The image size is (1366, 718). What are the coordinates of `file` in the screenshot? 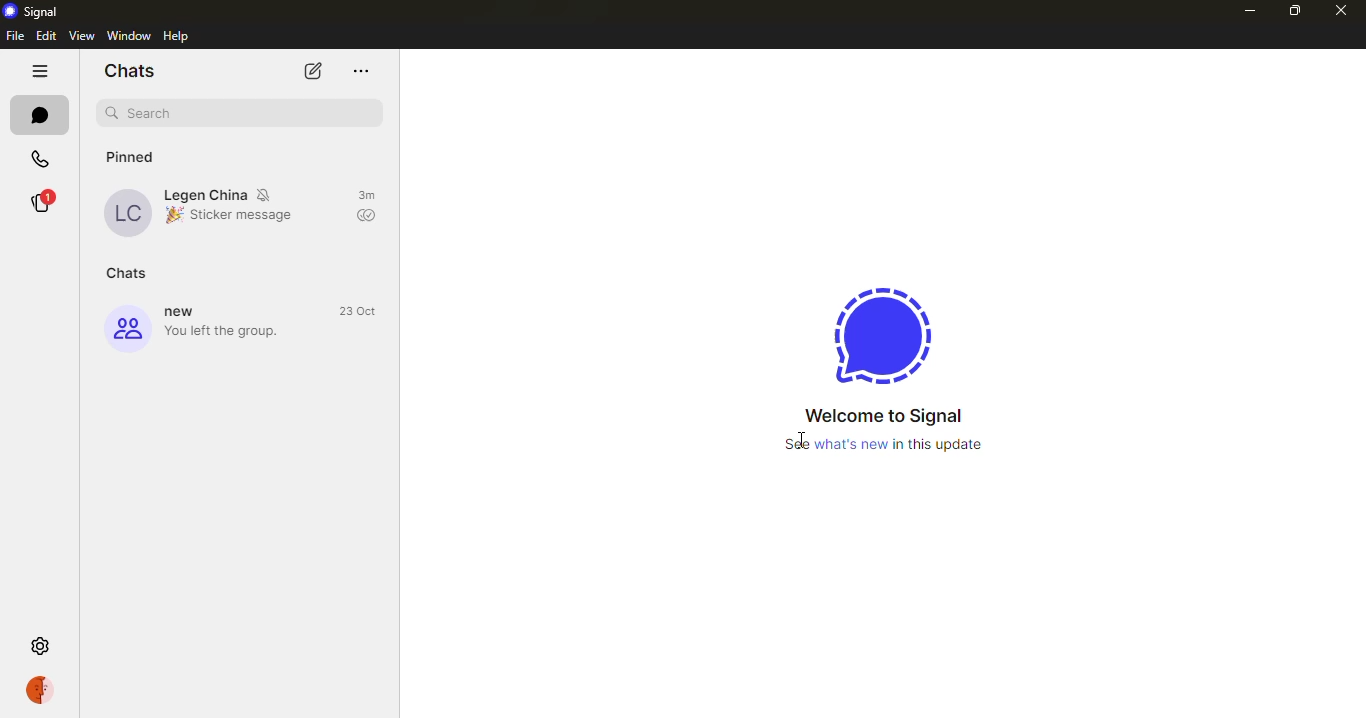 It's located at (15, 36).